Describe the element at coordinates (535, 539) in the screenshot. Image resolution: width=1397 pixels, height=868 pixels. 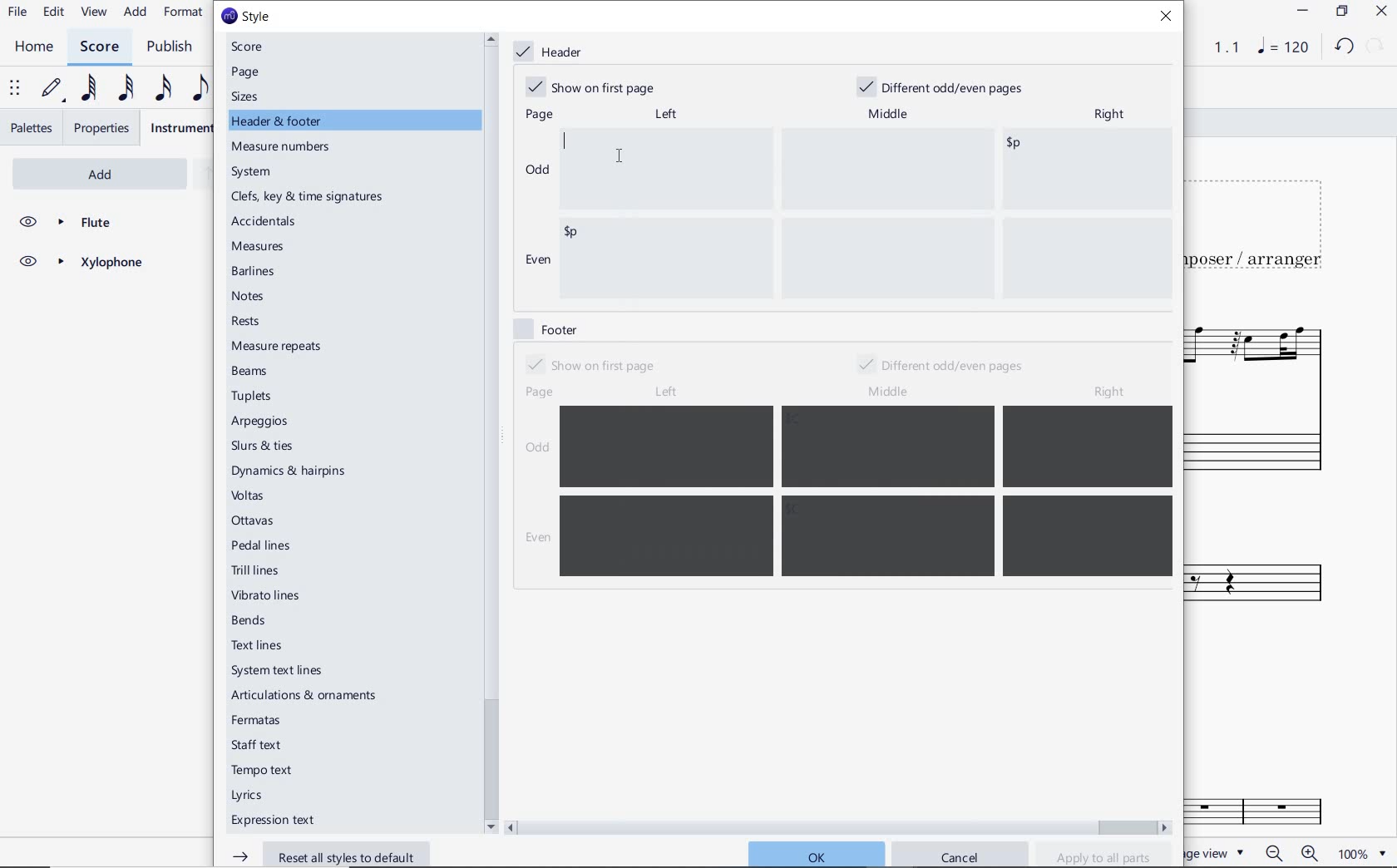
I see `even` at that location.